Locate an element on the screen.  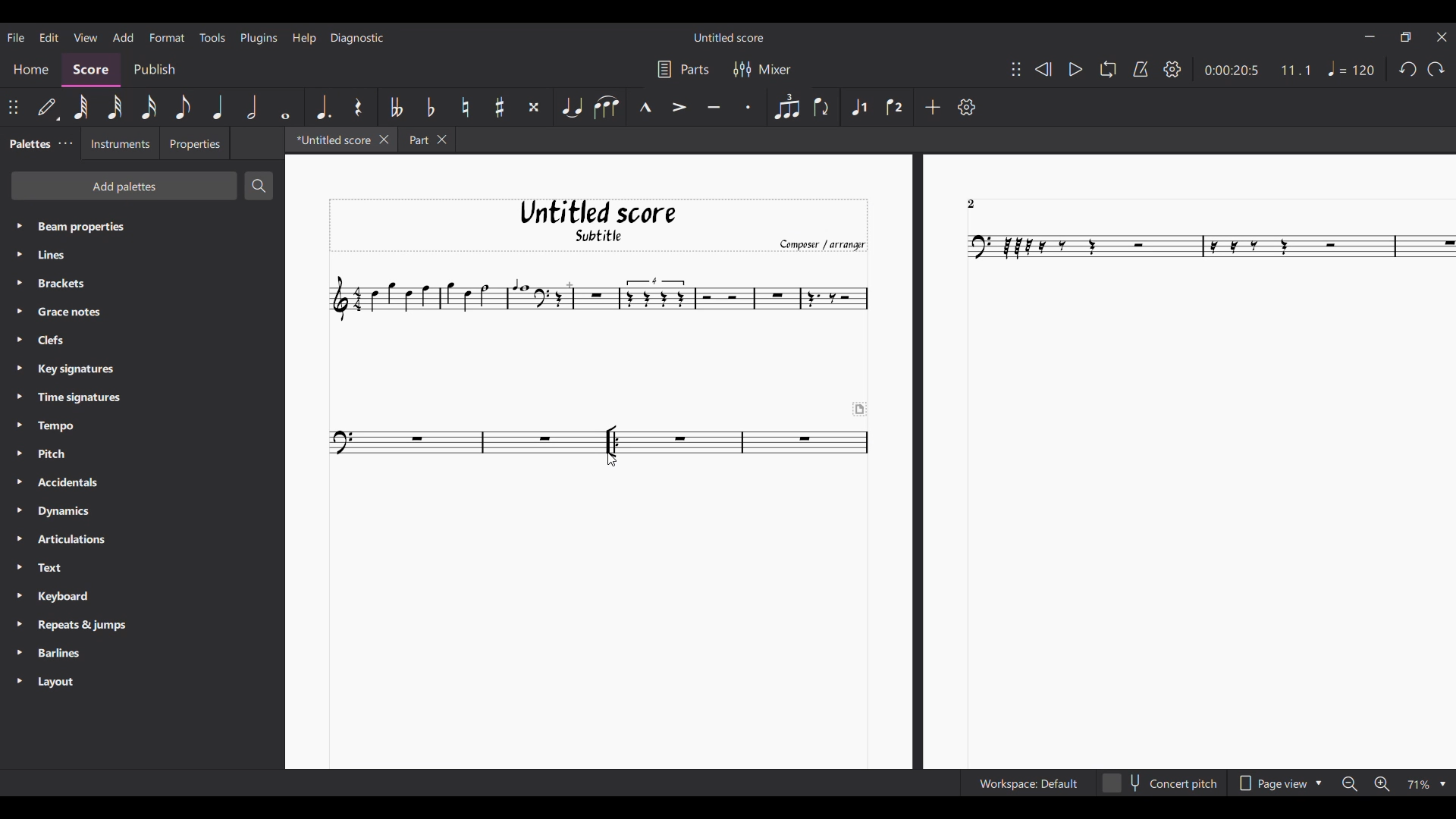
Close tab is located at coordinates (384, 140).